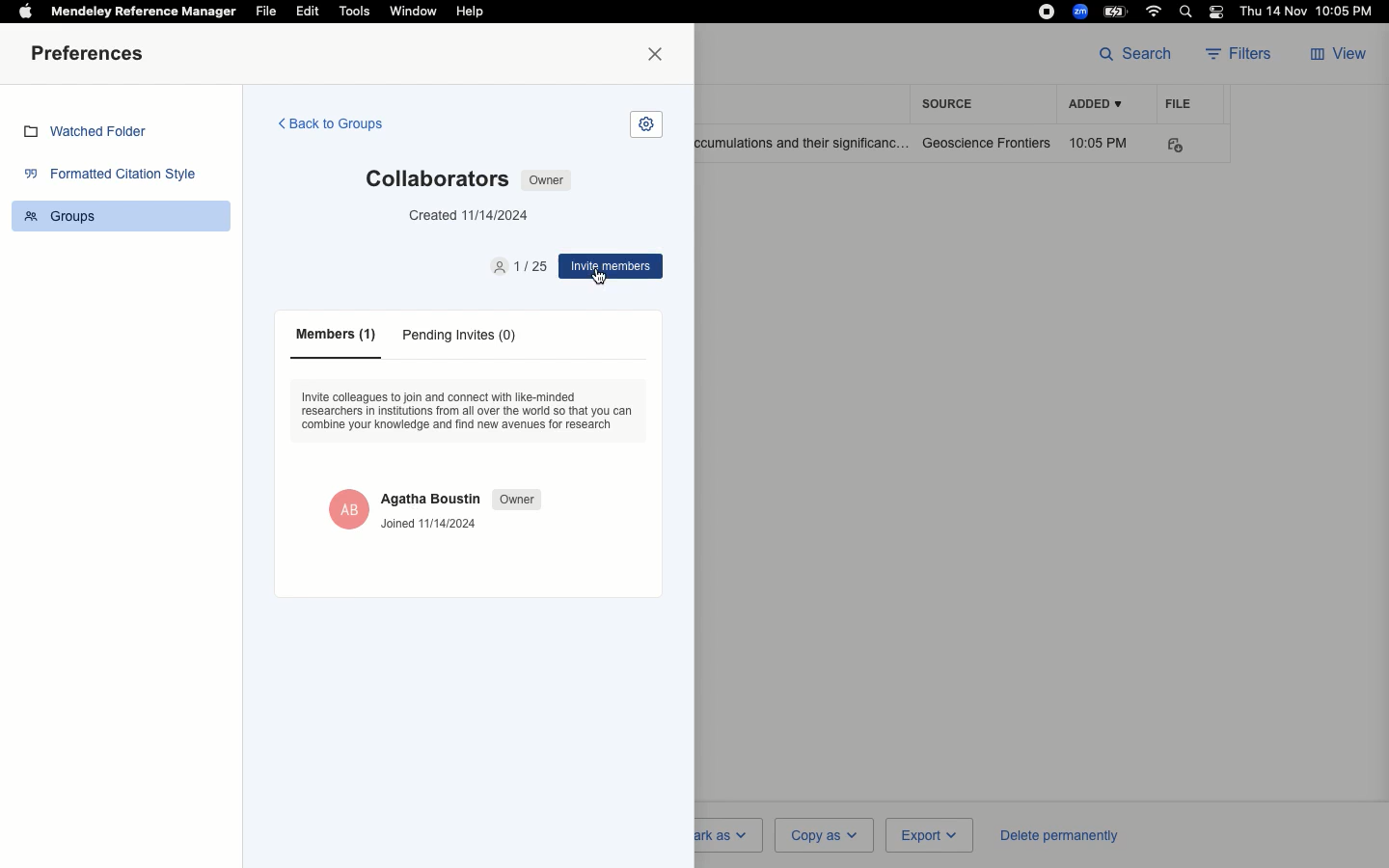 The height and width of the screenshot is (868, 1389). What do you see at coordinates (1311, 12) in the screenshot?
I see `Date/time` at bounding box center [1311, 12].